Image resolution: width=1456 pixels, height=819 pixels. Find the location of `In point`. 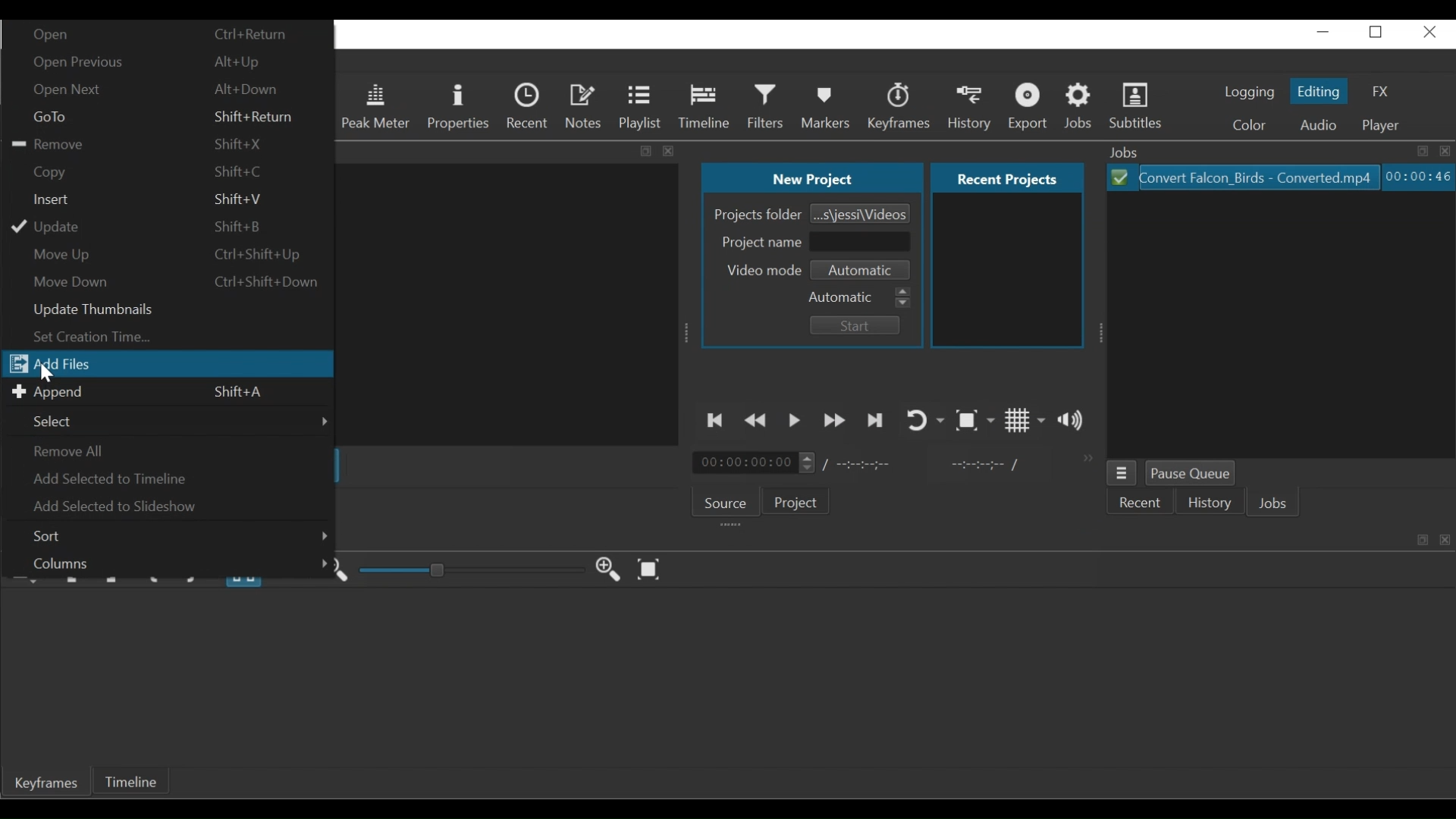

In point is located at coordinates (986, 465).